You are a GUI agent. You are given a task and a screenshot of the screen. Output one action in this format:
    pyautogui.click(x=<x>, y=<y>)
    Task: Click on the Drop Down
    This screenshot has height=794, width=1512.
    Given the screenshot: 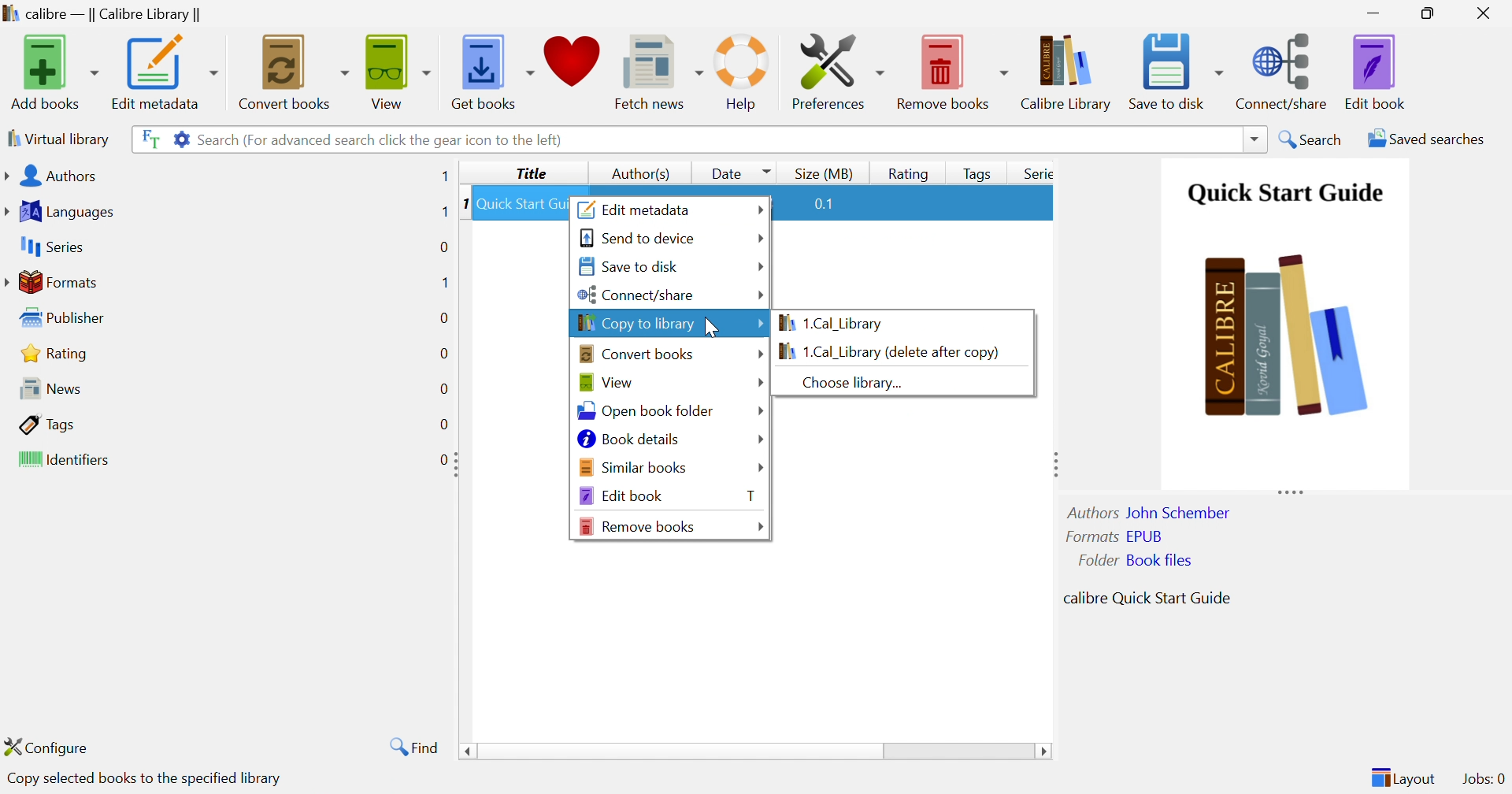 What is the action you would take?
    pyautogui.click(x=761, y=325)
    